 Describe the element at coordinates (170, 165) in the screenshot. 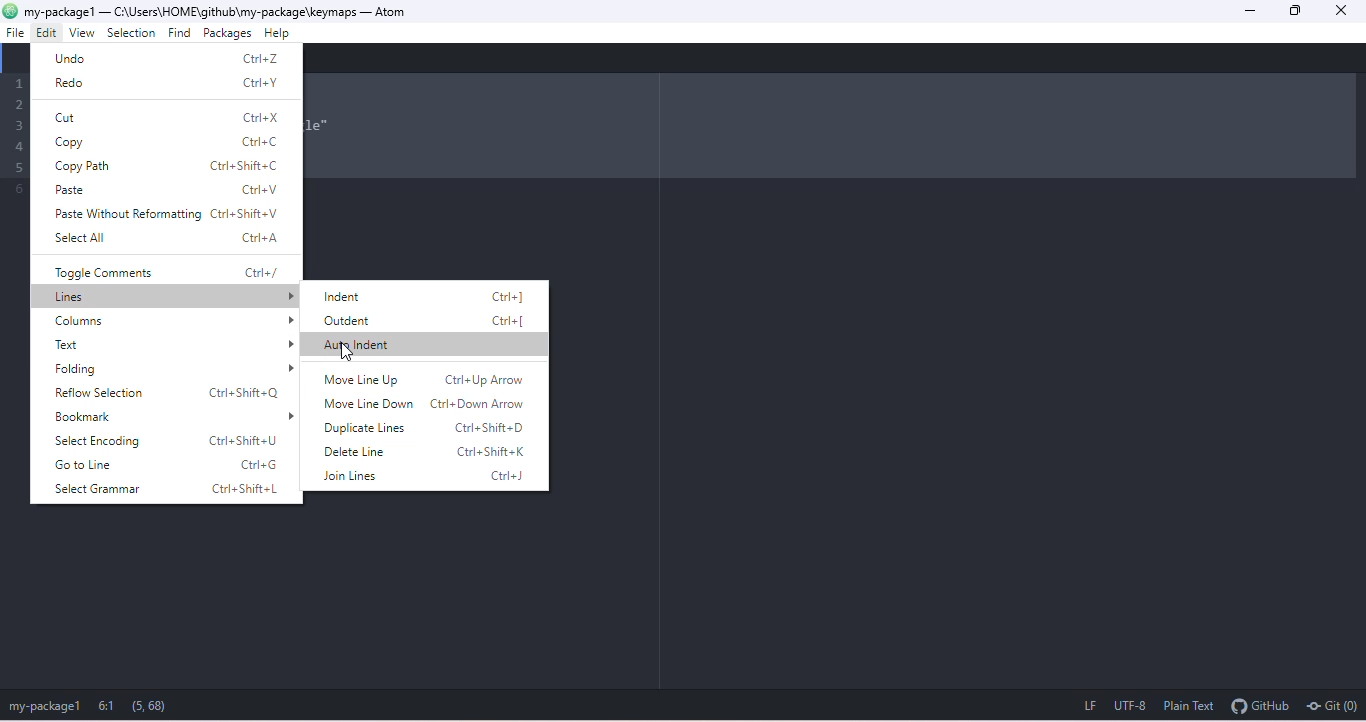

I see `copy path` at that location.